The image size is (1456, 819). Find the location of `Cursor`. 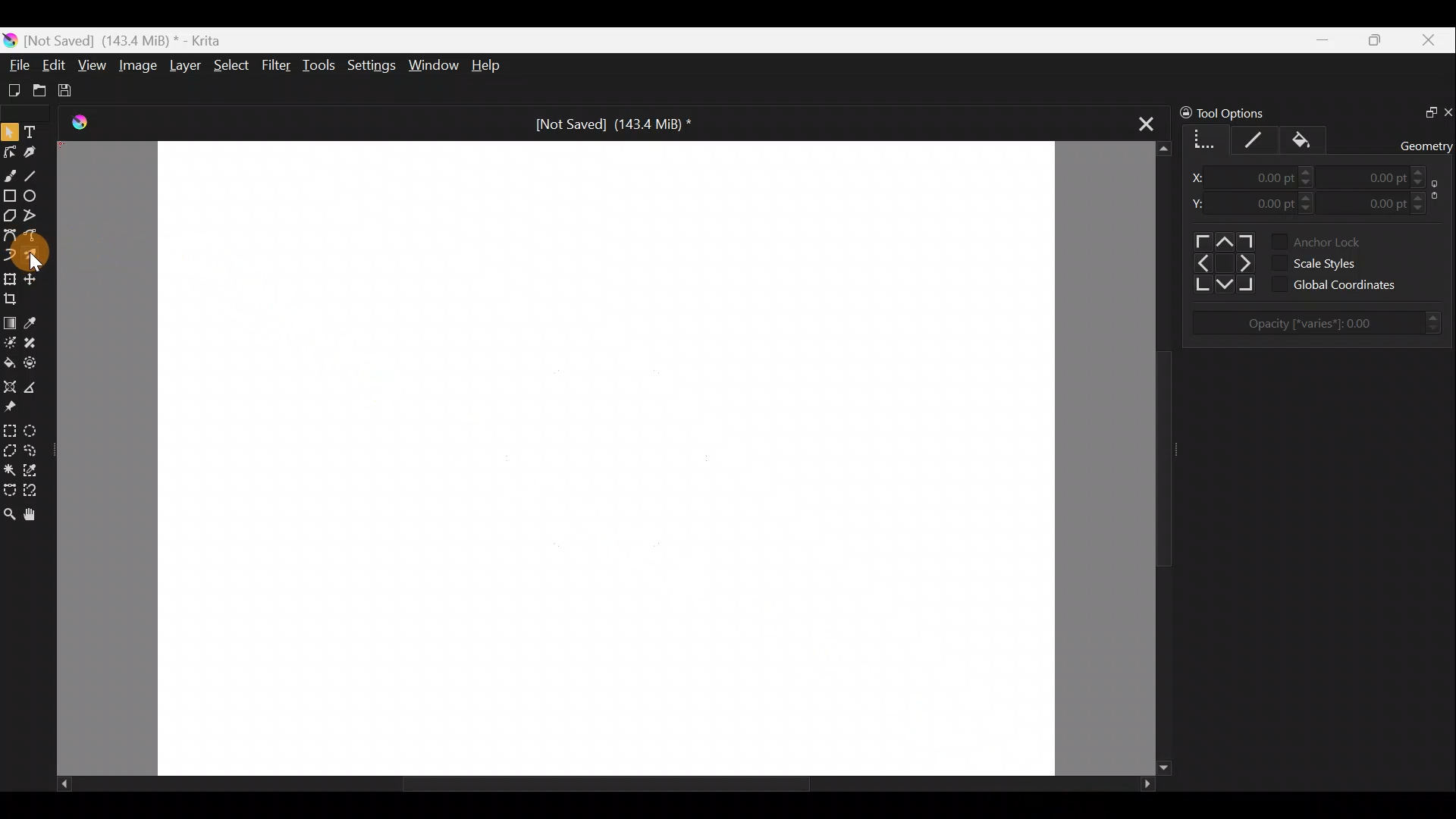

Cursor is located at coordinates (52, 260).